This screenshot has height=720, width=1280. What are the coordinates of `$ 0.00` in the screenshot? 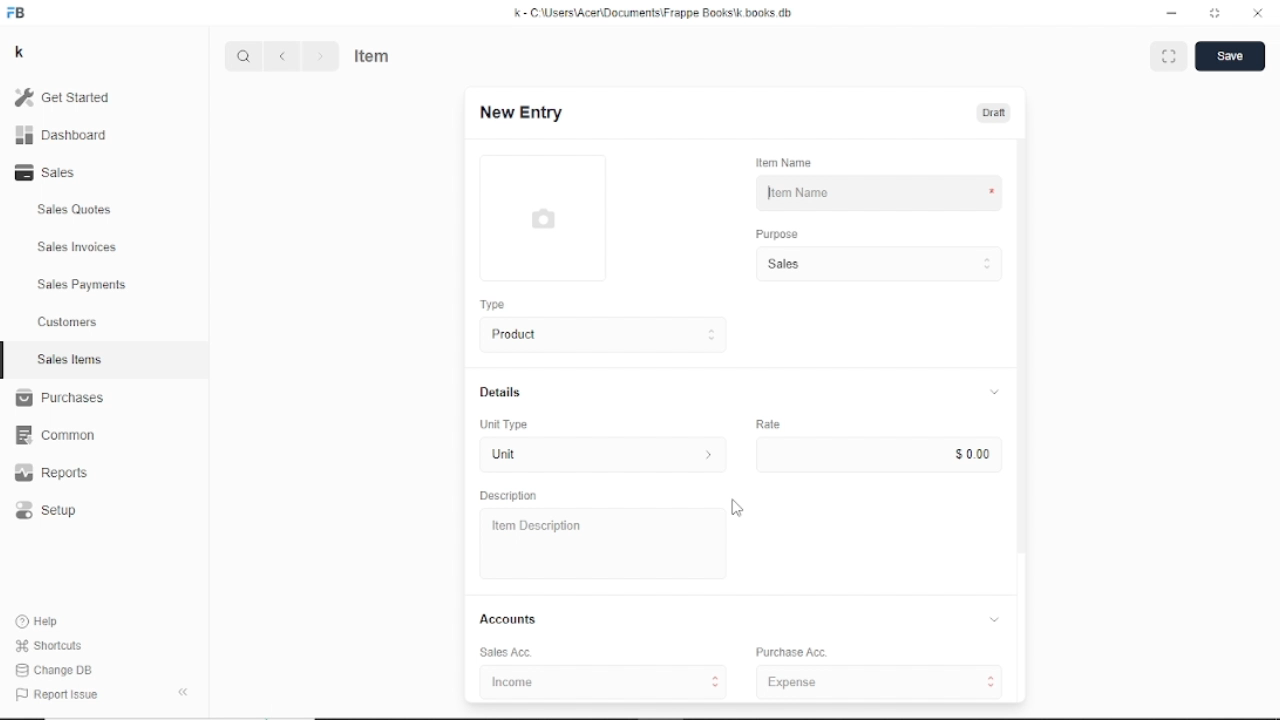 It's located at (972, 454).